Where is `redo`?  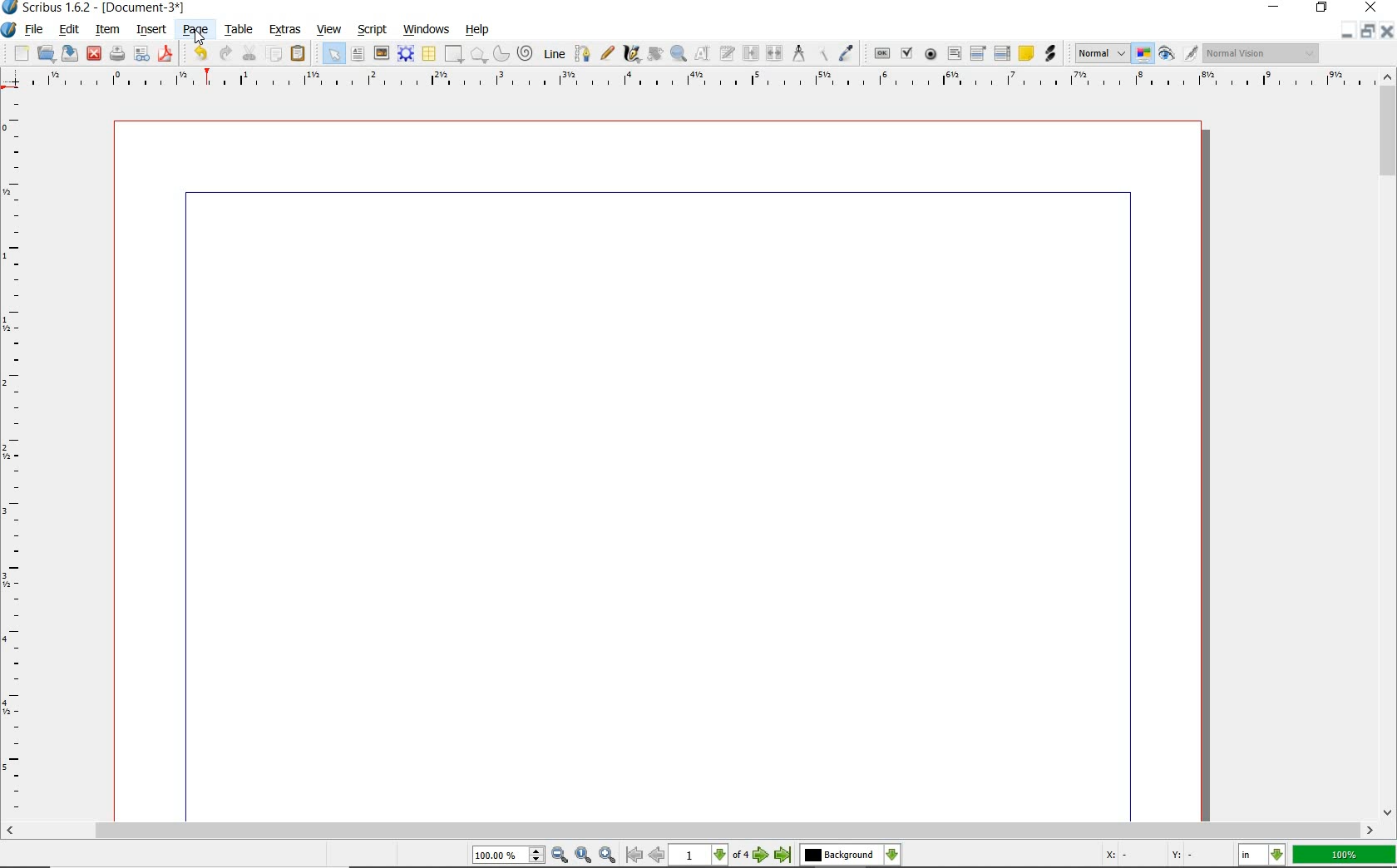
redo is located at coordinates (223, 52).